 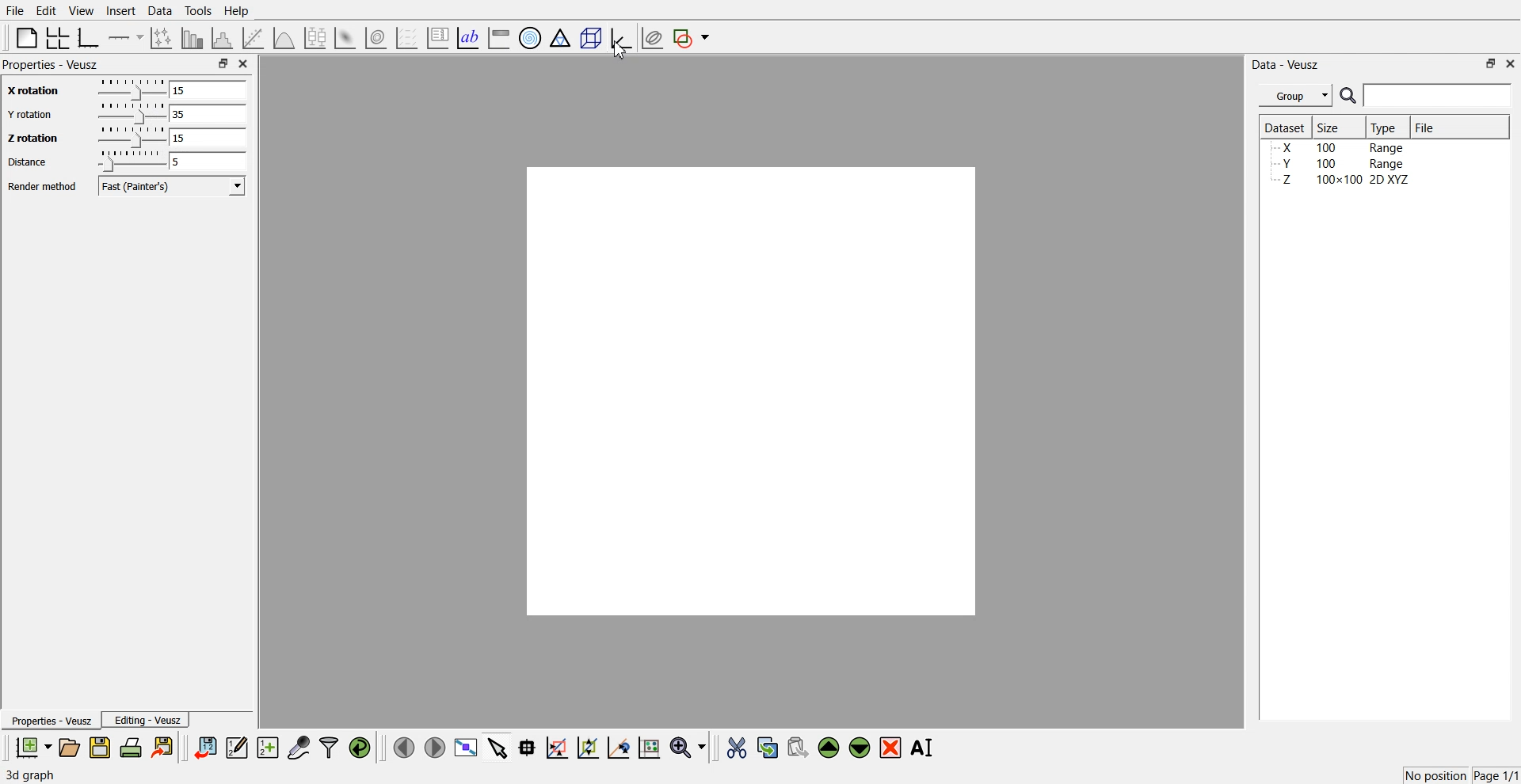 I want to click on Add axis to the pane, so click(x=125, y=39).